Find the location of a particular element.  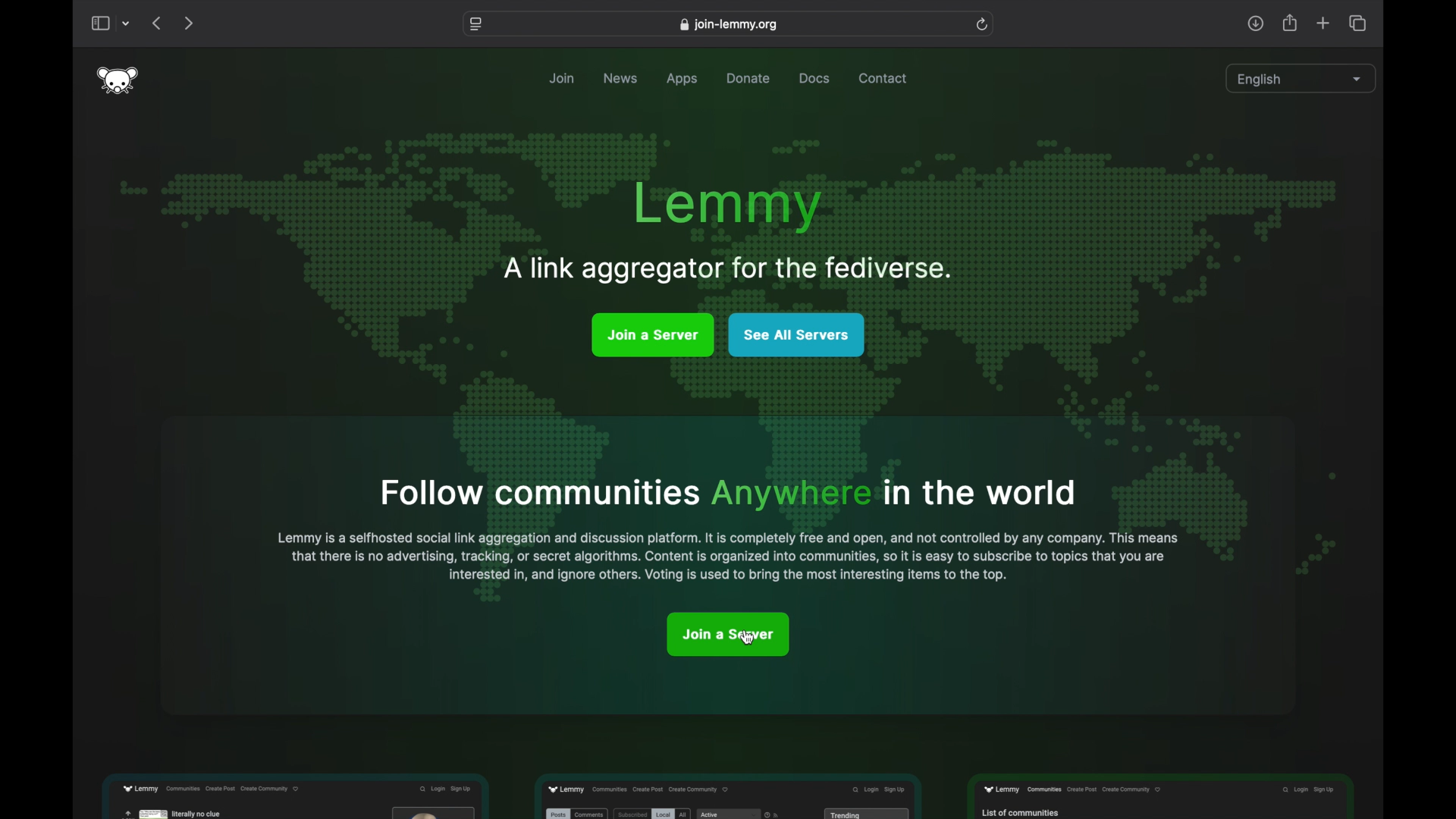

share is located at coordinates (1291, 24).